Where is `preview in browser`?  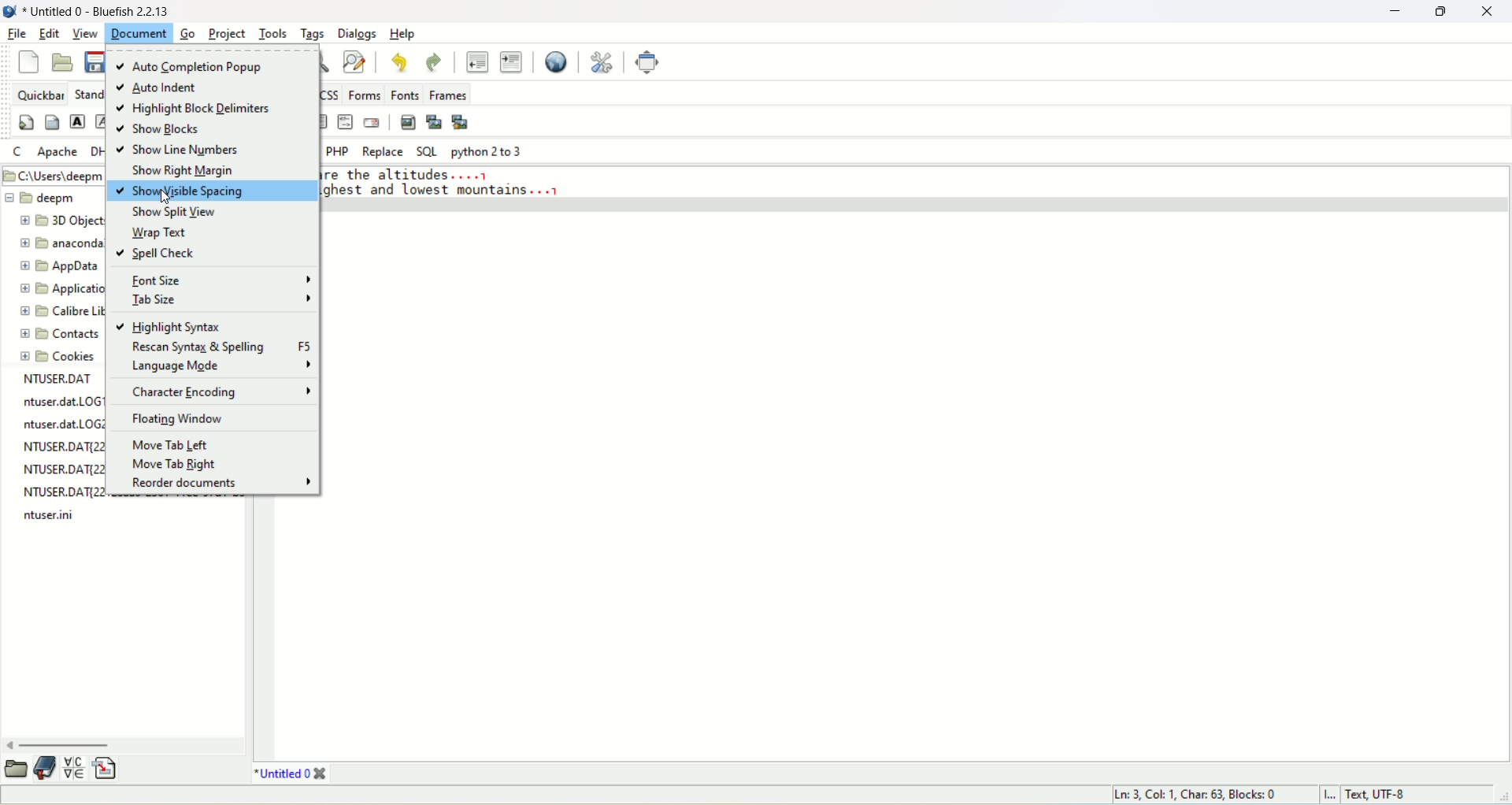
preview in browser is located at coordinates (558, 62).